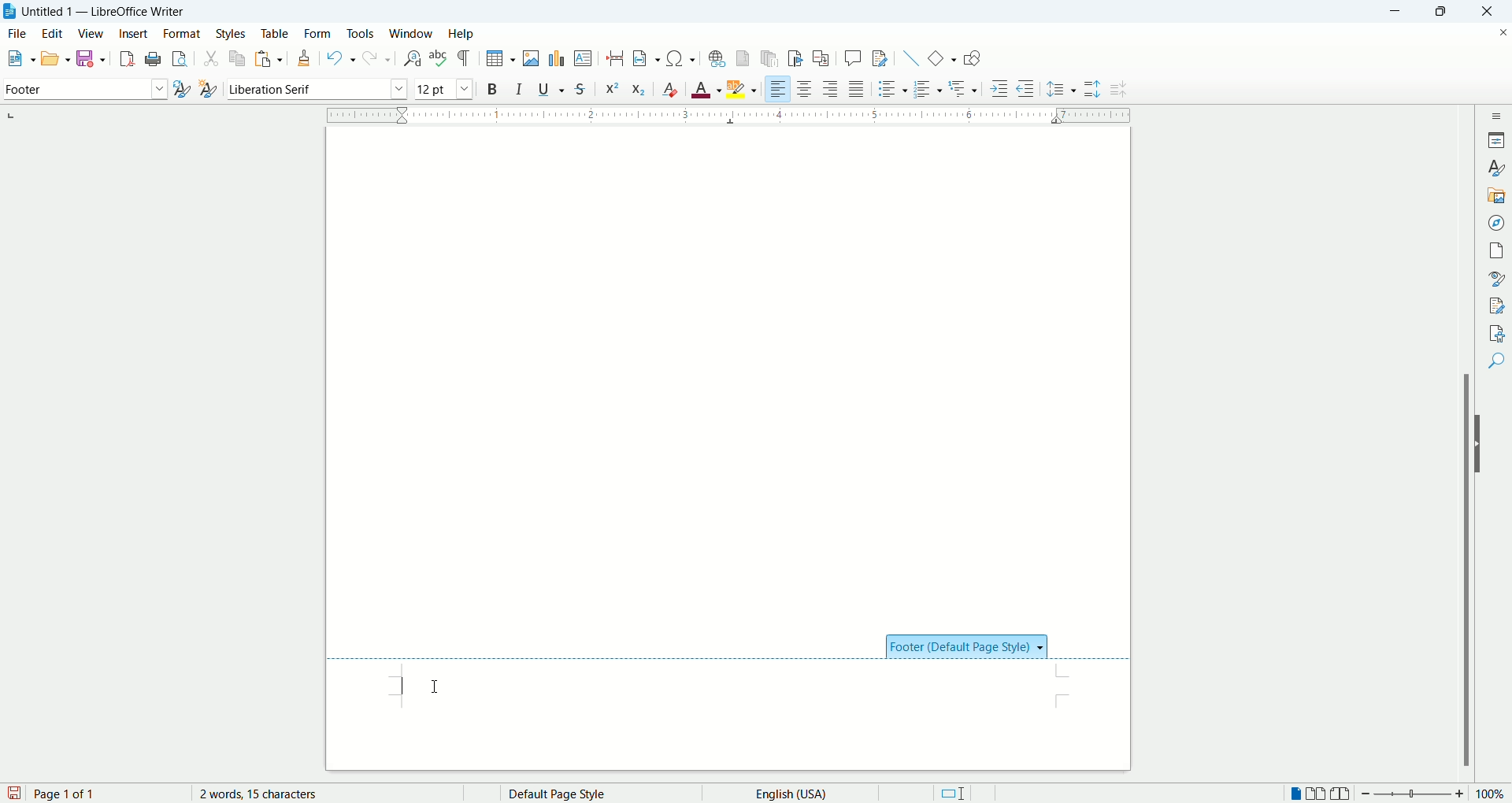  Describe the element at coordinates (1498, 168) in the screenshot. I see `styles` at that location.